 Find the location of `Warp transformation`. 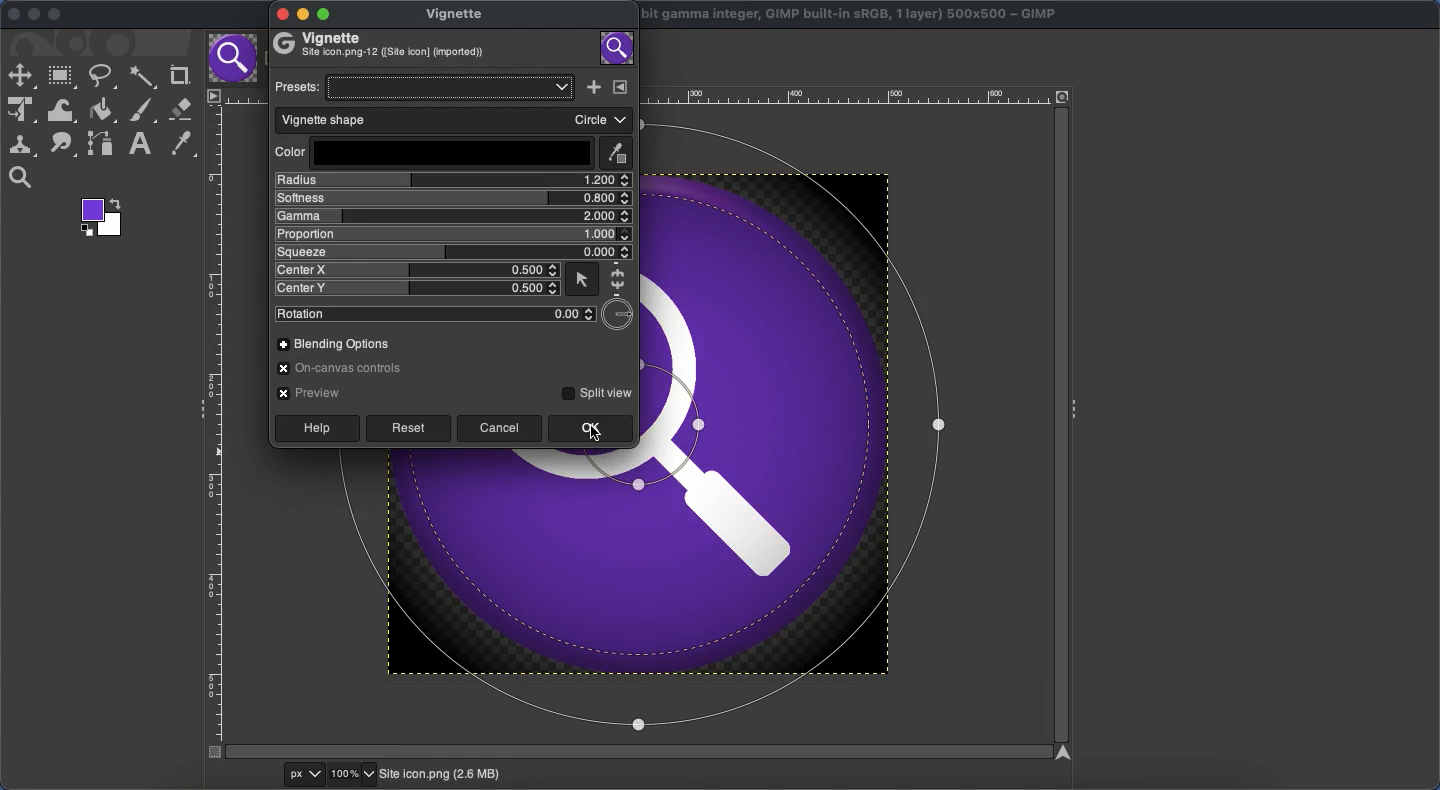

Warp transformation is located at coordinates (62, 110).